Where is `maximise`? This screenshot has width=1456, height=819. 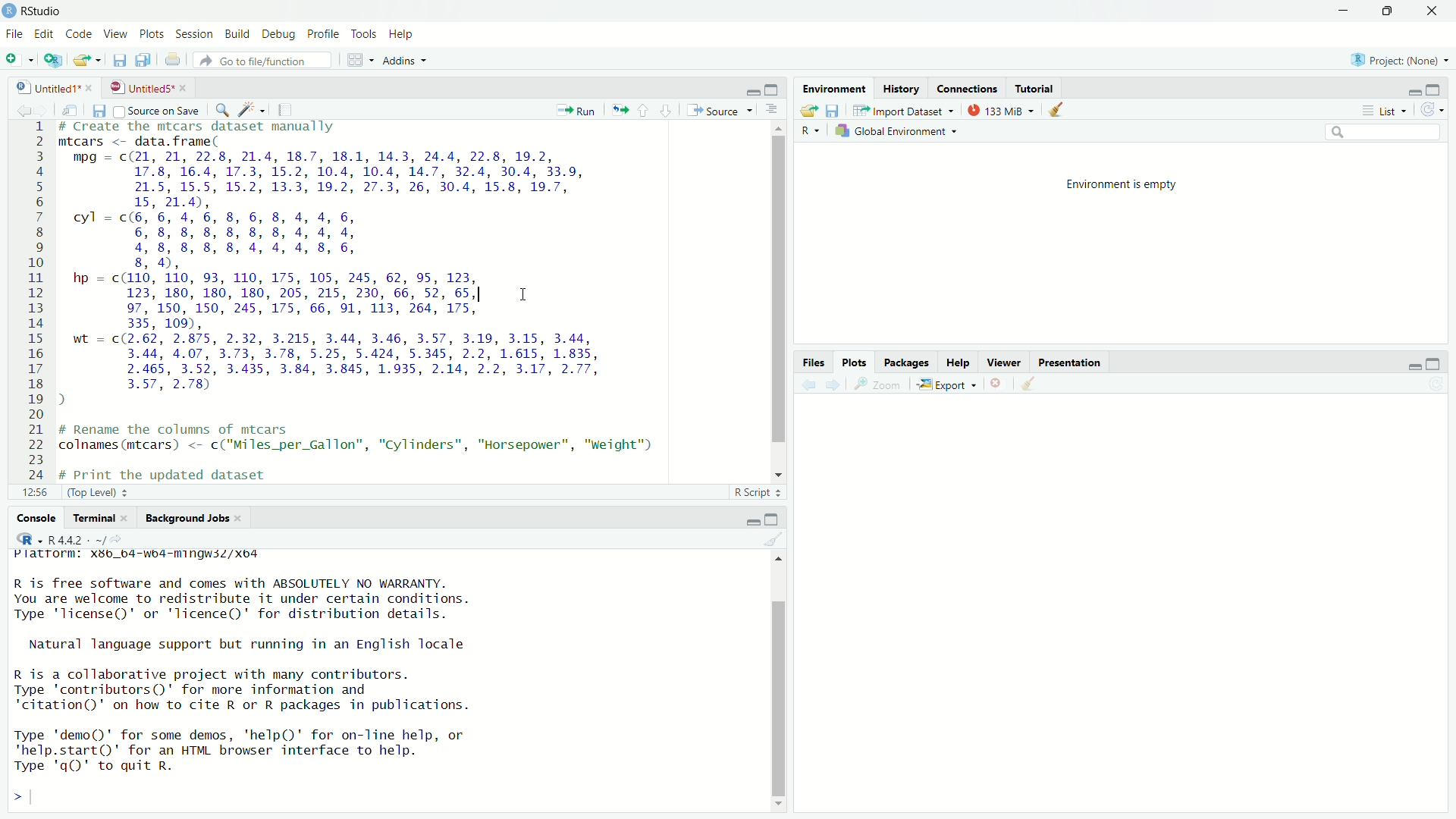 maximise is located at coordinates (1389, 11).